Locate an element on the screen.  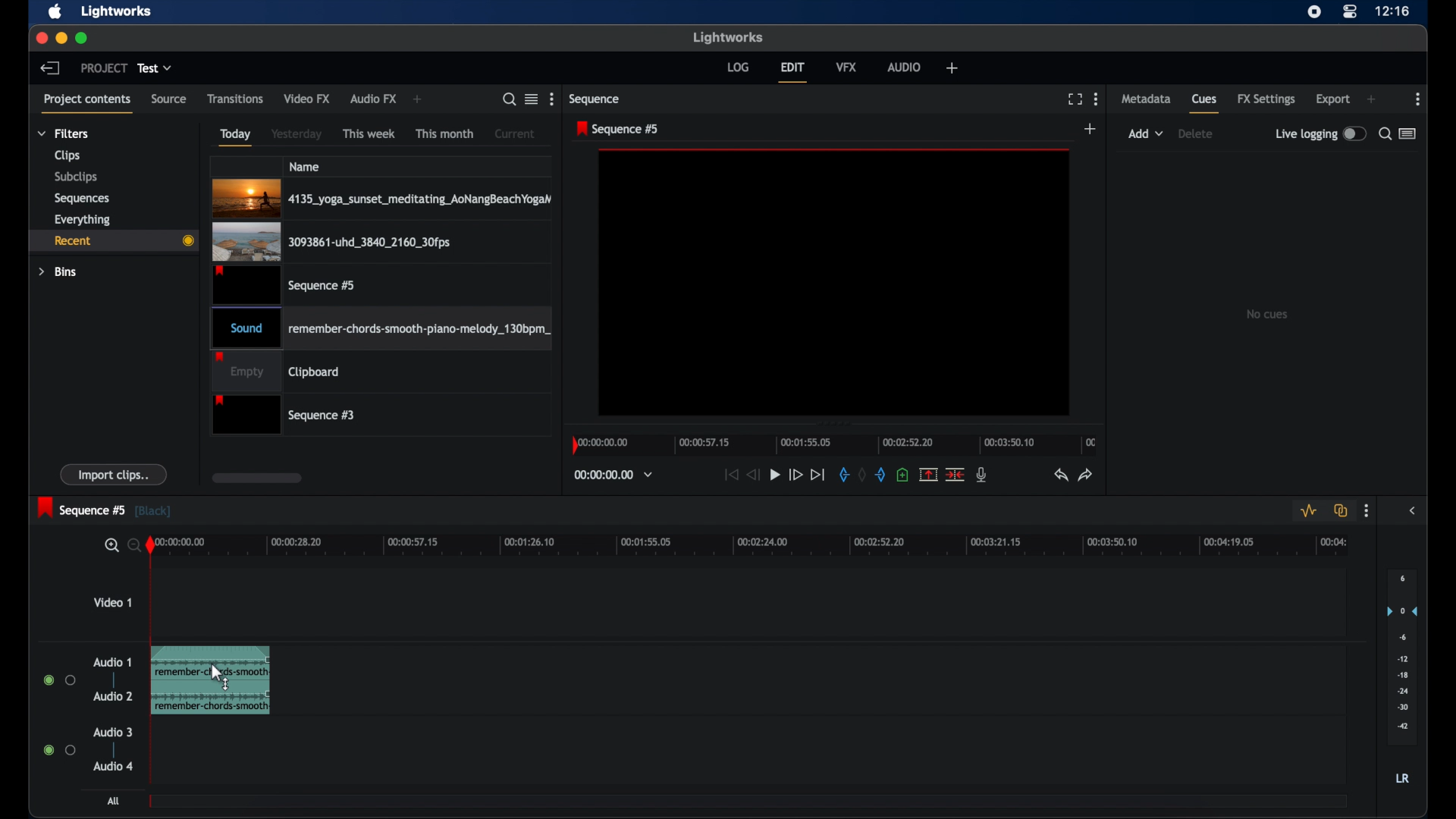
mic is located at coordinates (982, 475).